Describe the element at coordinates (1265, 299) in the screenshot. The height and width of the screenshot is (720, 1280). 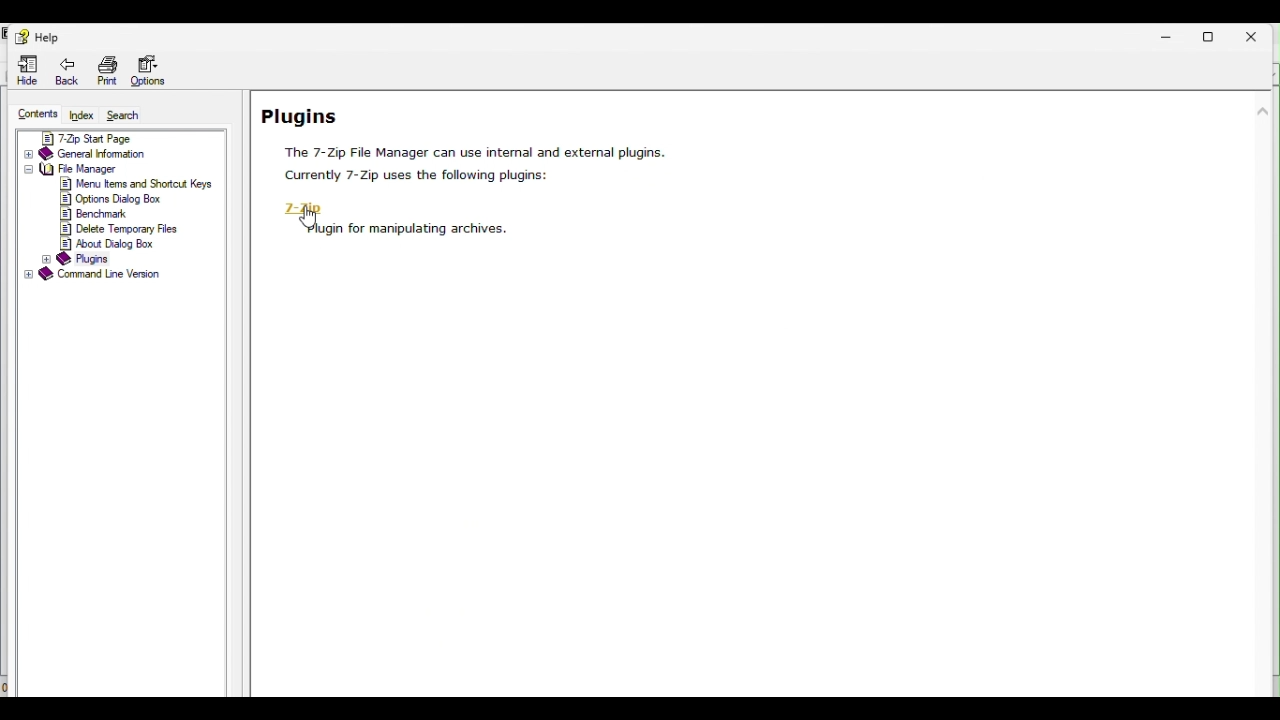
I see `scroll bar` at that location.